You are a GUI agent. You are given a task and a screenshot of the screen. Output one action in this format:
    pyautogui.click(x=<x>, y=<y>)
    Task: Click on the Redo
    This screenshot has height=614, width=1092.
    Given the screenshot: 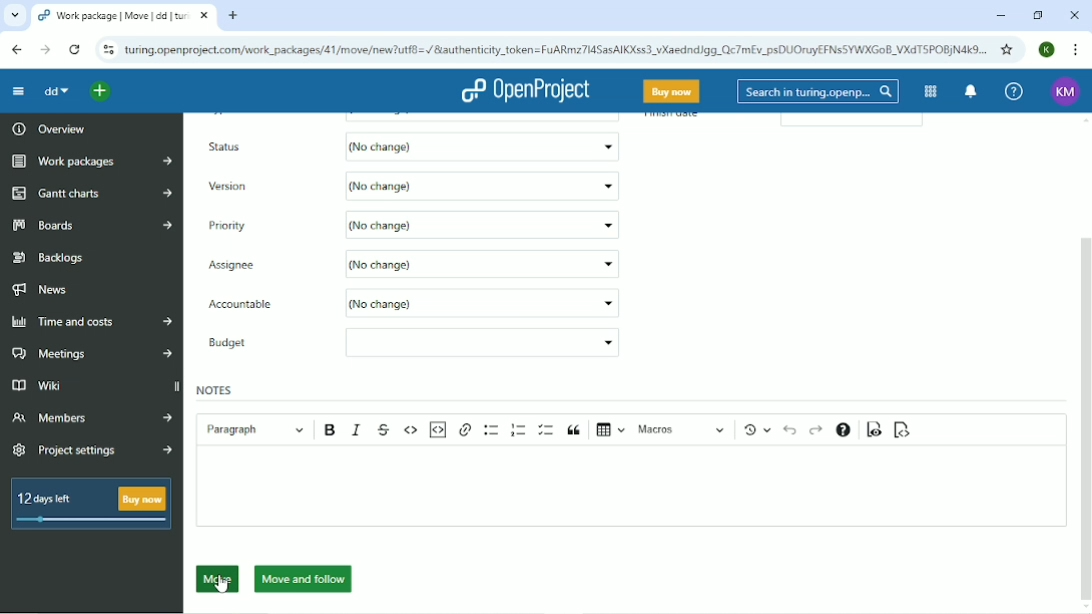 What is the action you would take?
    pyautogui.click(x=814, y=430)
    